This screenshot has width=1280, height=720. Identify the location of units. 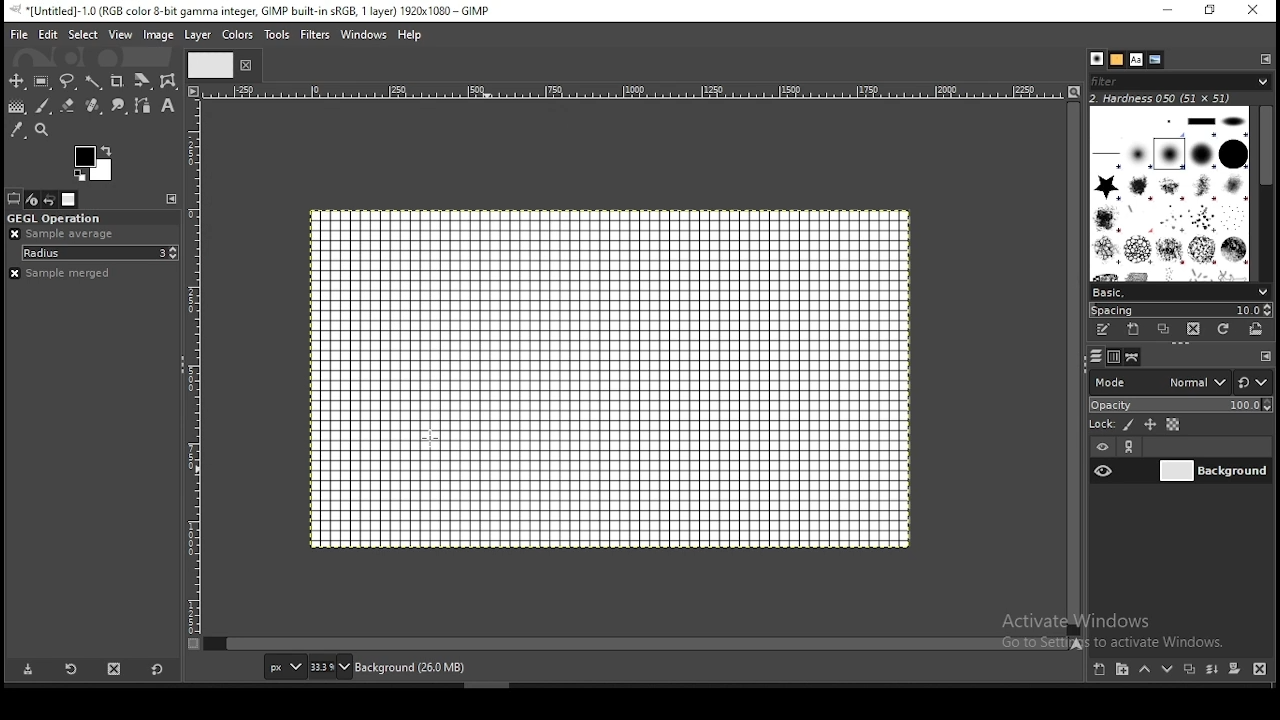
(284, 666).